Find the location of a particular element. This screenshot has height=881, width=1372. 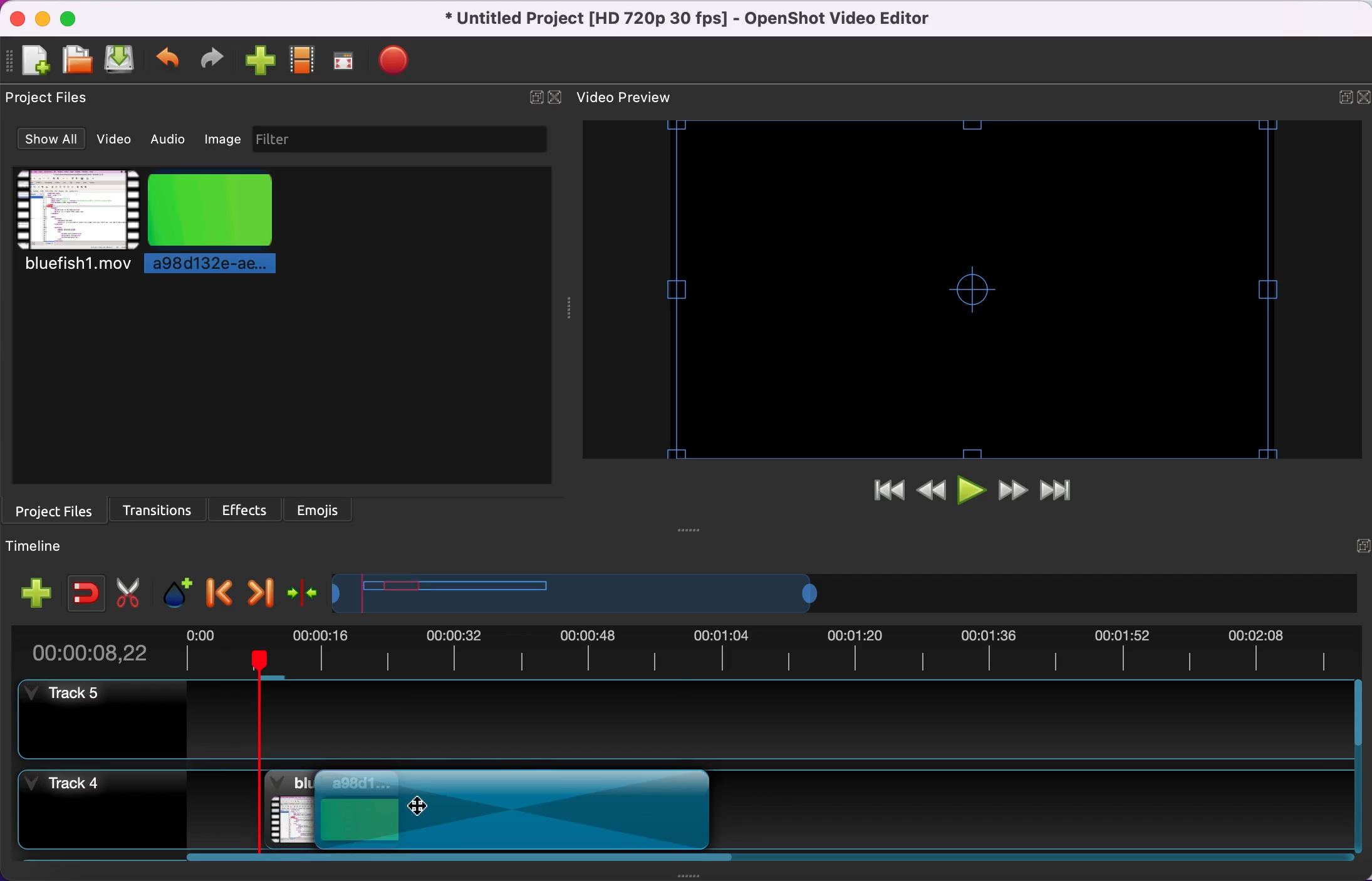

undo is located at coordinates (165, 60).